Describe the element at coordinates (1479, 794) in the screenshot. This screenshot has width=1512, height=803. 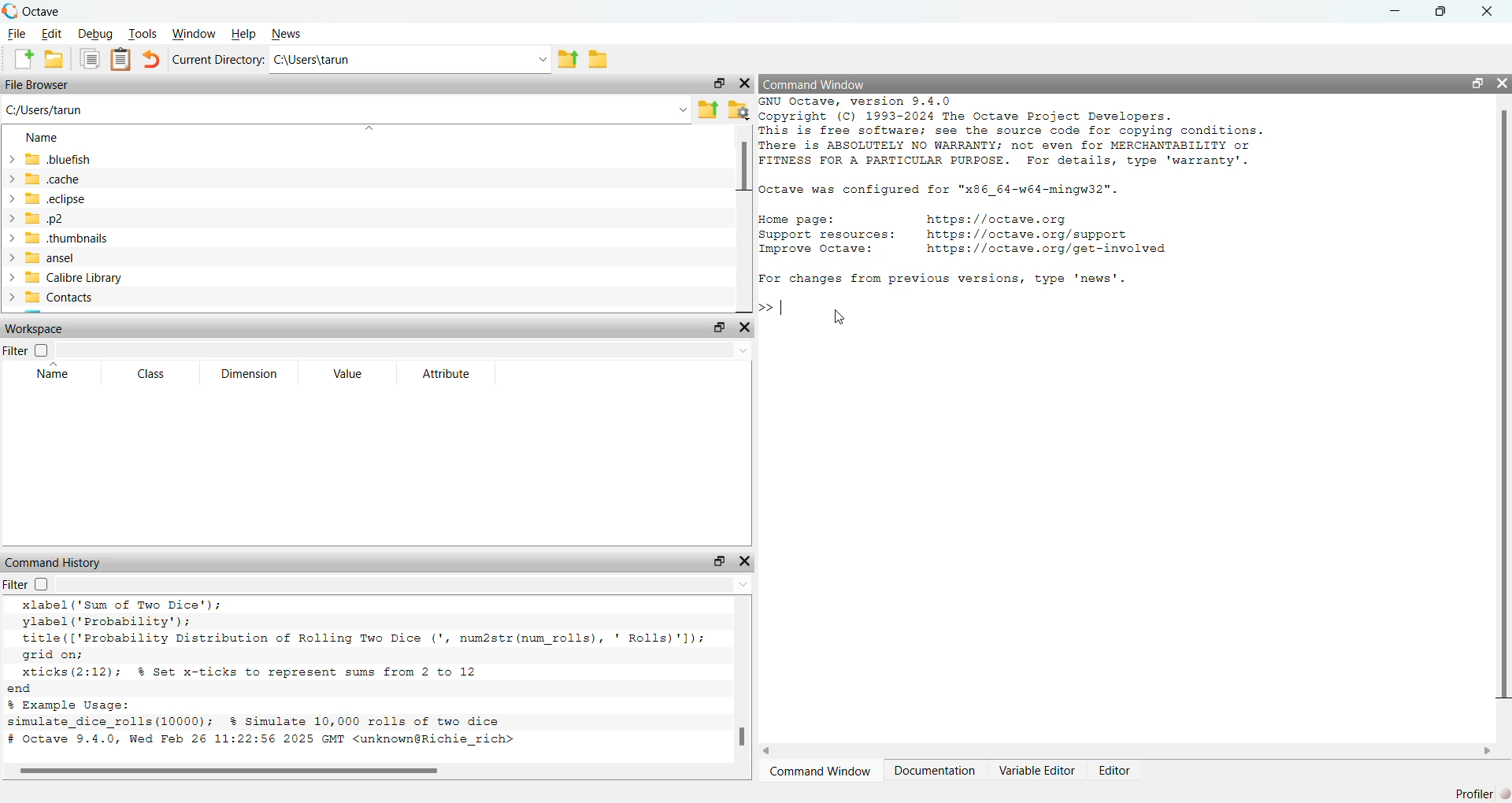
I see `Profiler` at that location.